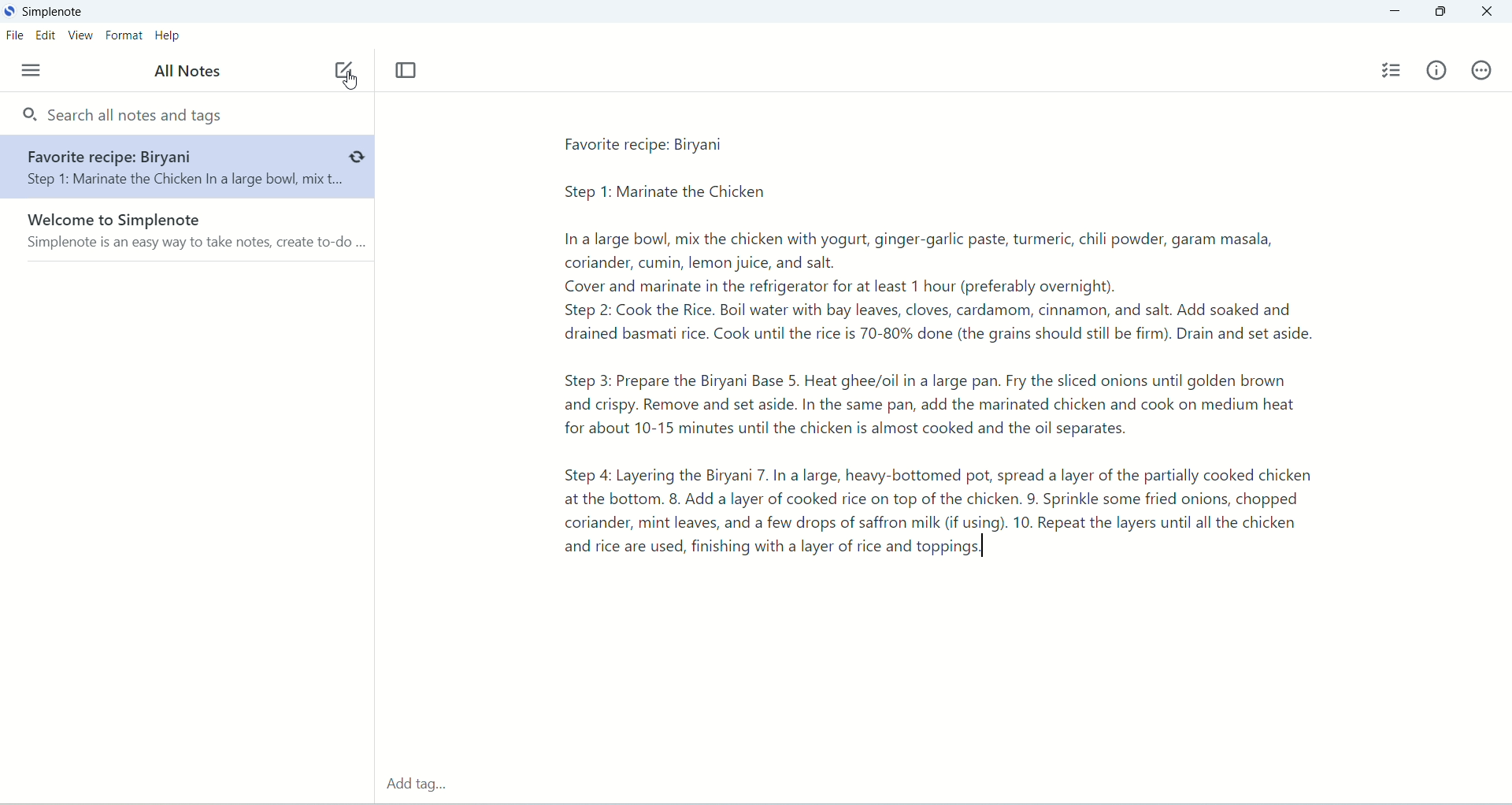  What do you see at coordinates (127, 116) in the screenshot?
I see `search all notes and tags` at bounding box center [127, 116].